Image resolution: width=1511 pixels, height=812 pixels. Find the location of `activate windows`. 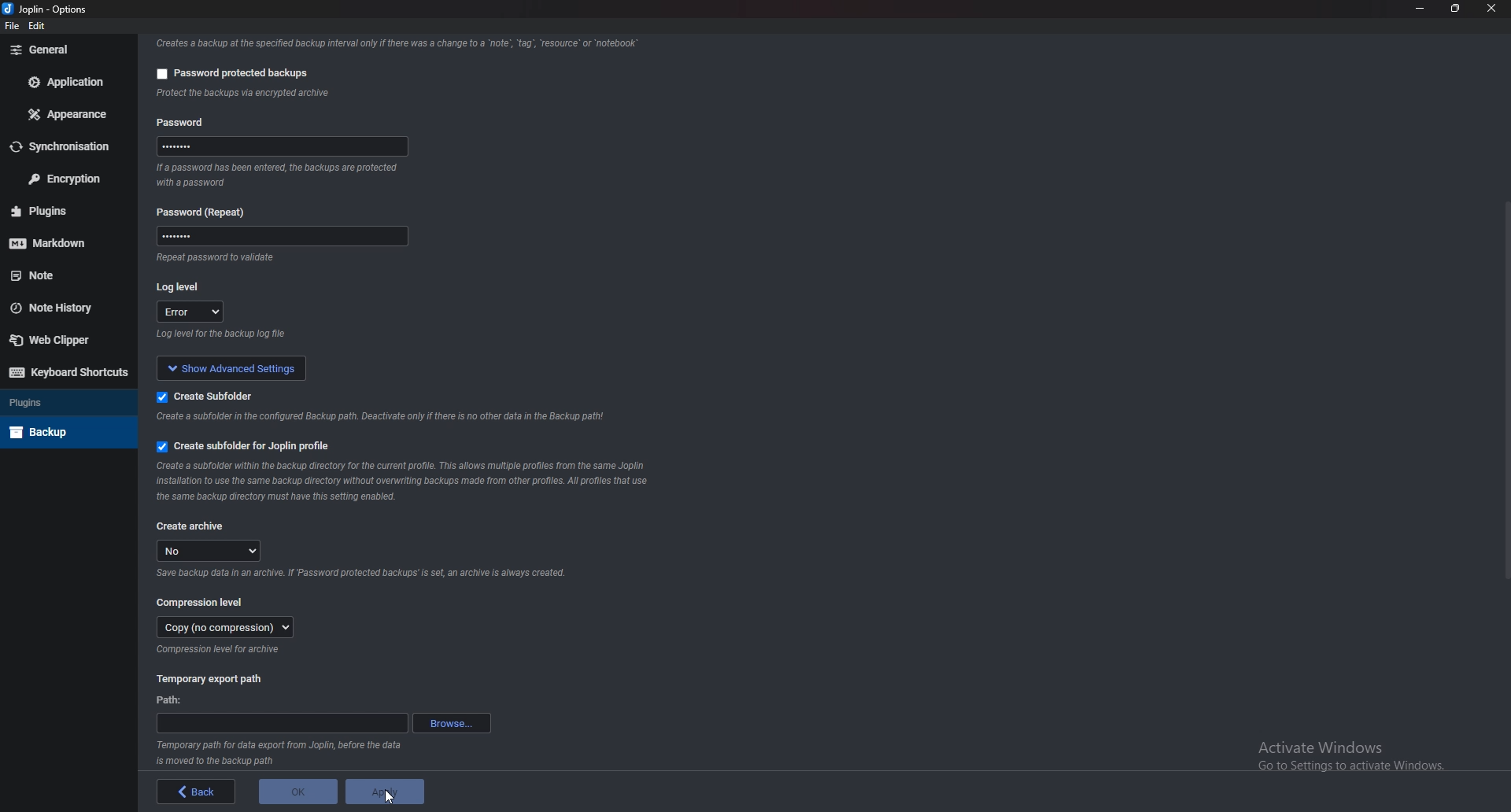

activate windows is located at coordinates (1362, 752).